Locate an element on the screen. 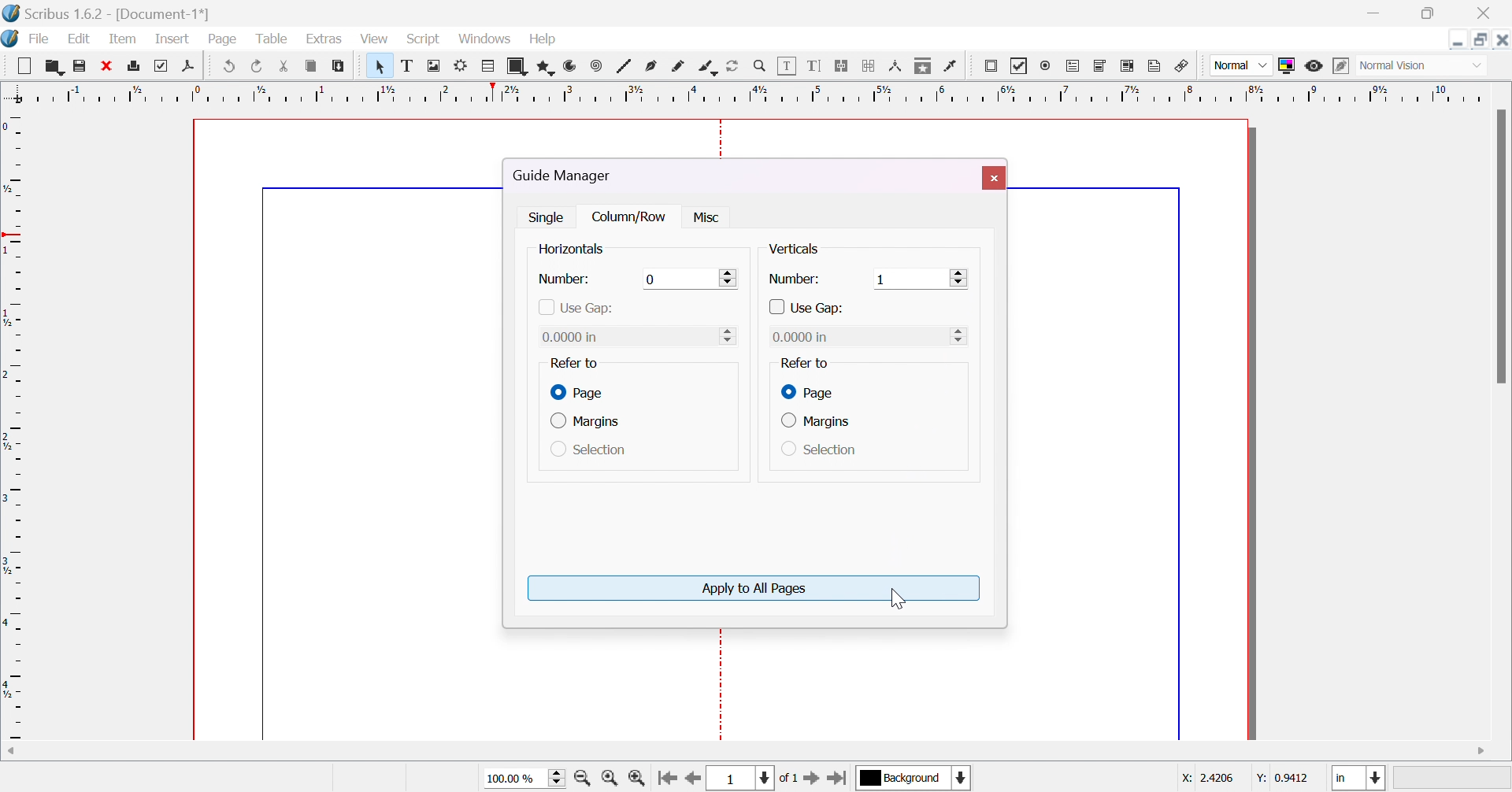  ruler is located at coordinates (13, 423).